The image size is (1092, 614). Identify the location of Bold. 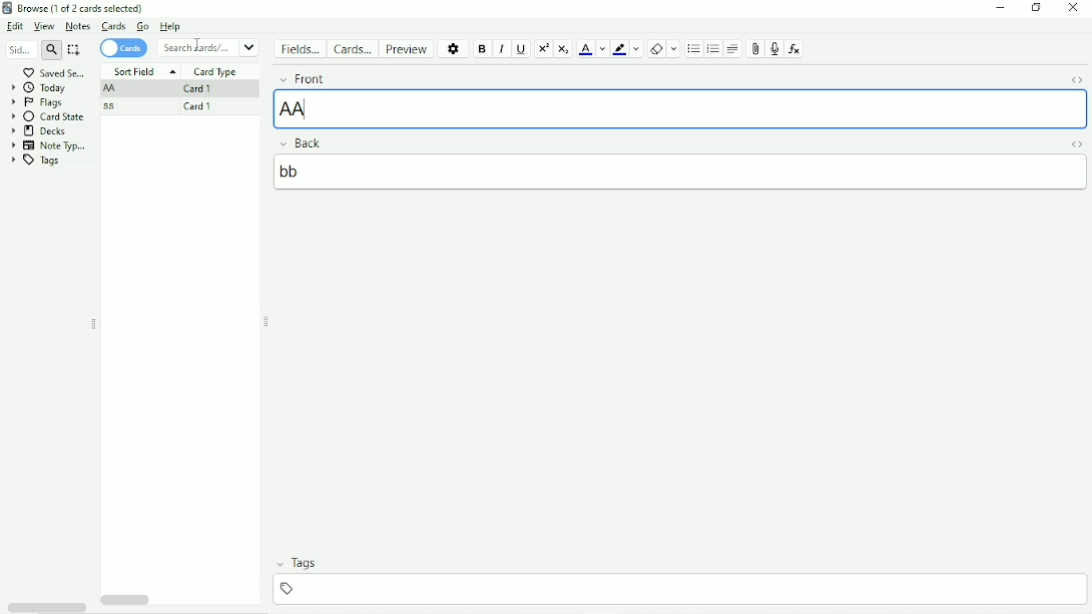
(482, 49).